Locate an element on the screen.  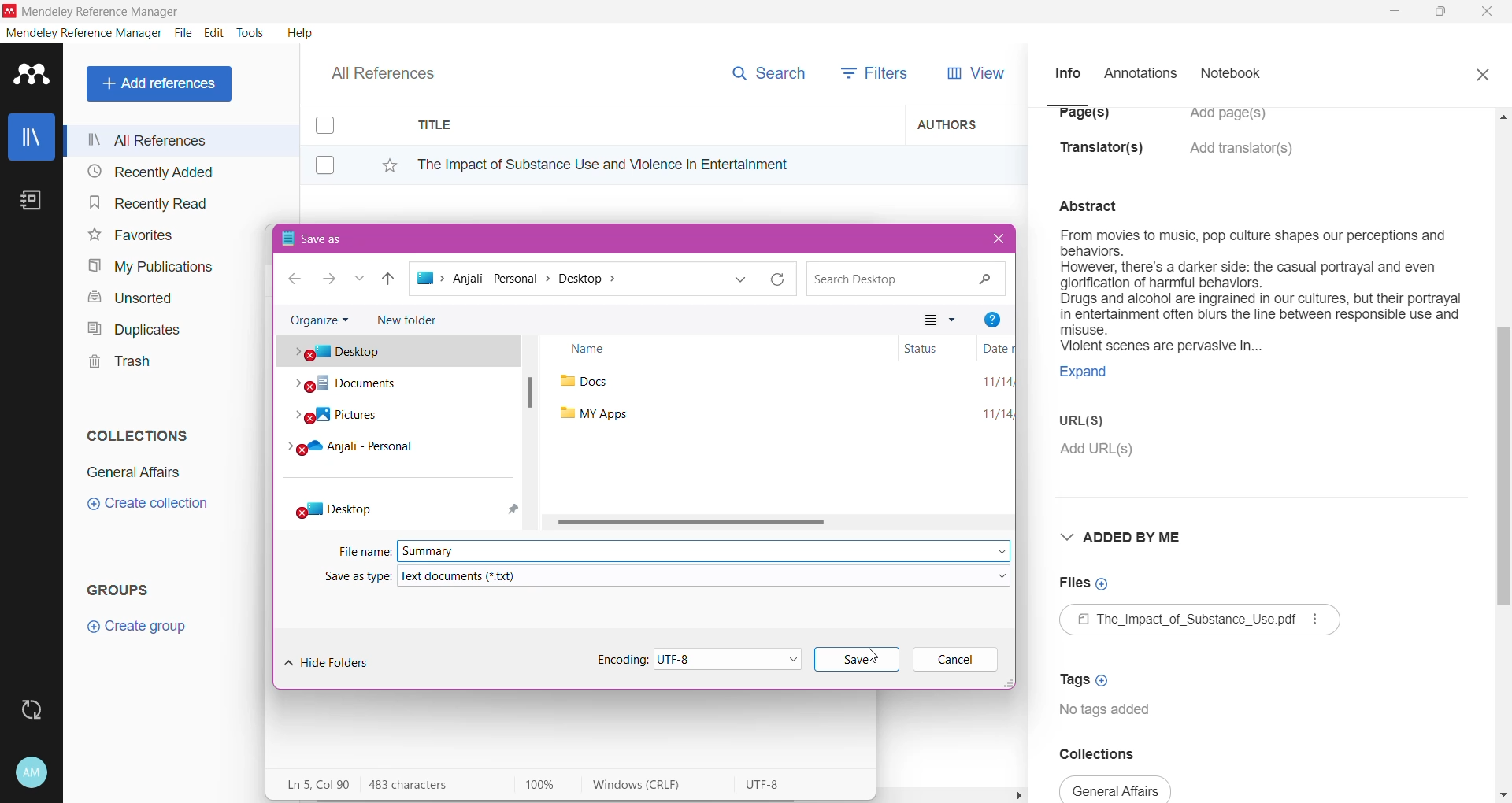
View is located at coordinates (973, 73).